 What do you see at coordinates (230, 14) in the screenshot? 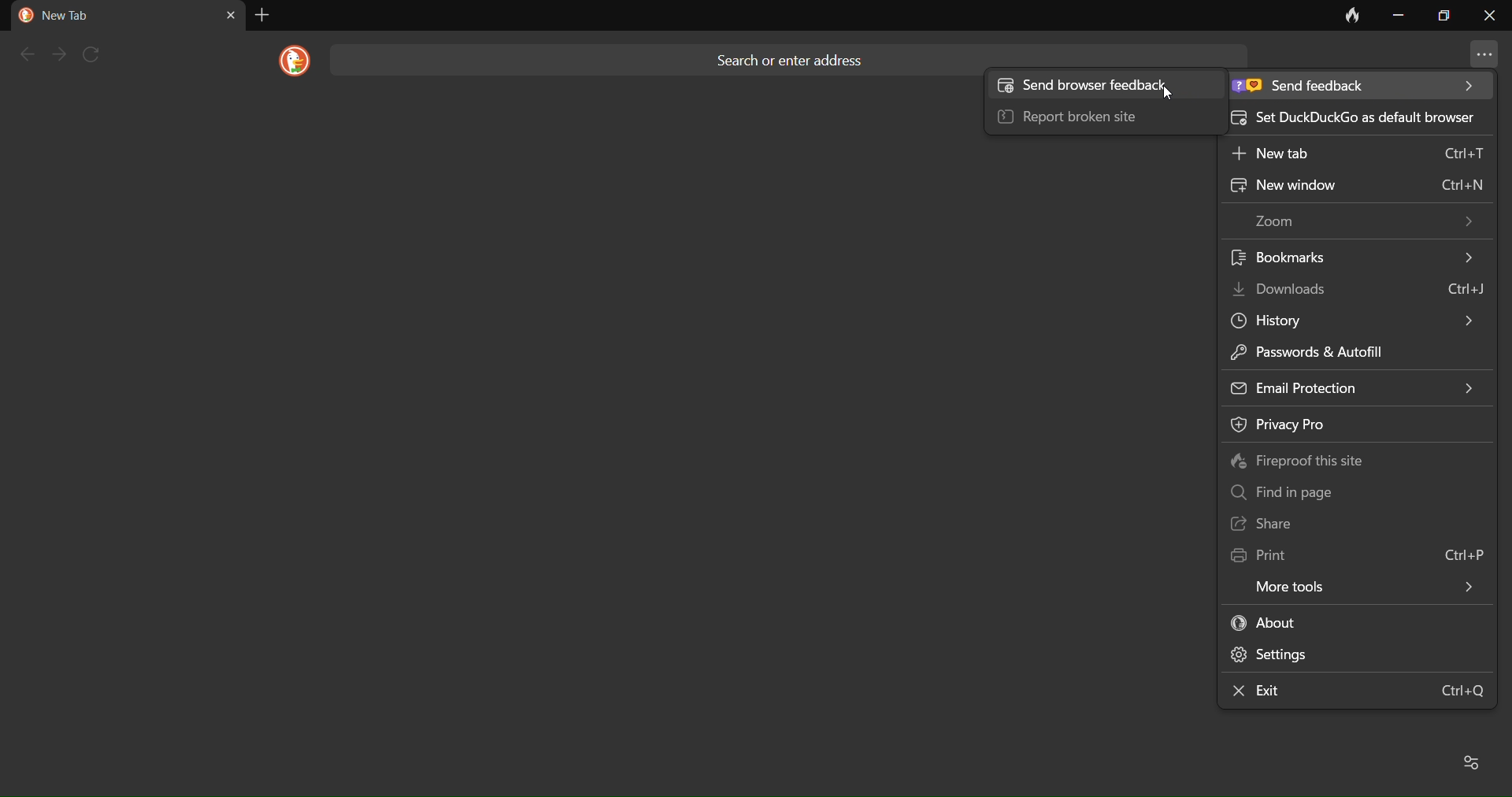
I see `close tab` at bounding box center [230, 14].